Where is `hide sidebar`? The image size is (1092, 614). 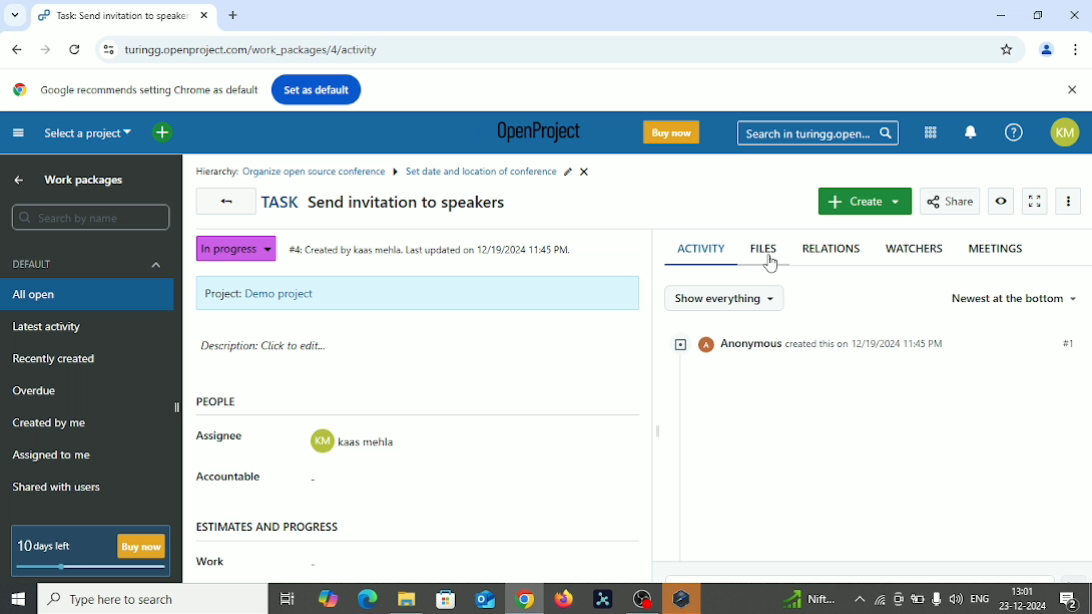
hide sidebar is located at coordinates (178, 406).